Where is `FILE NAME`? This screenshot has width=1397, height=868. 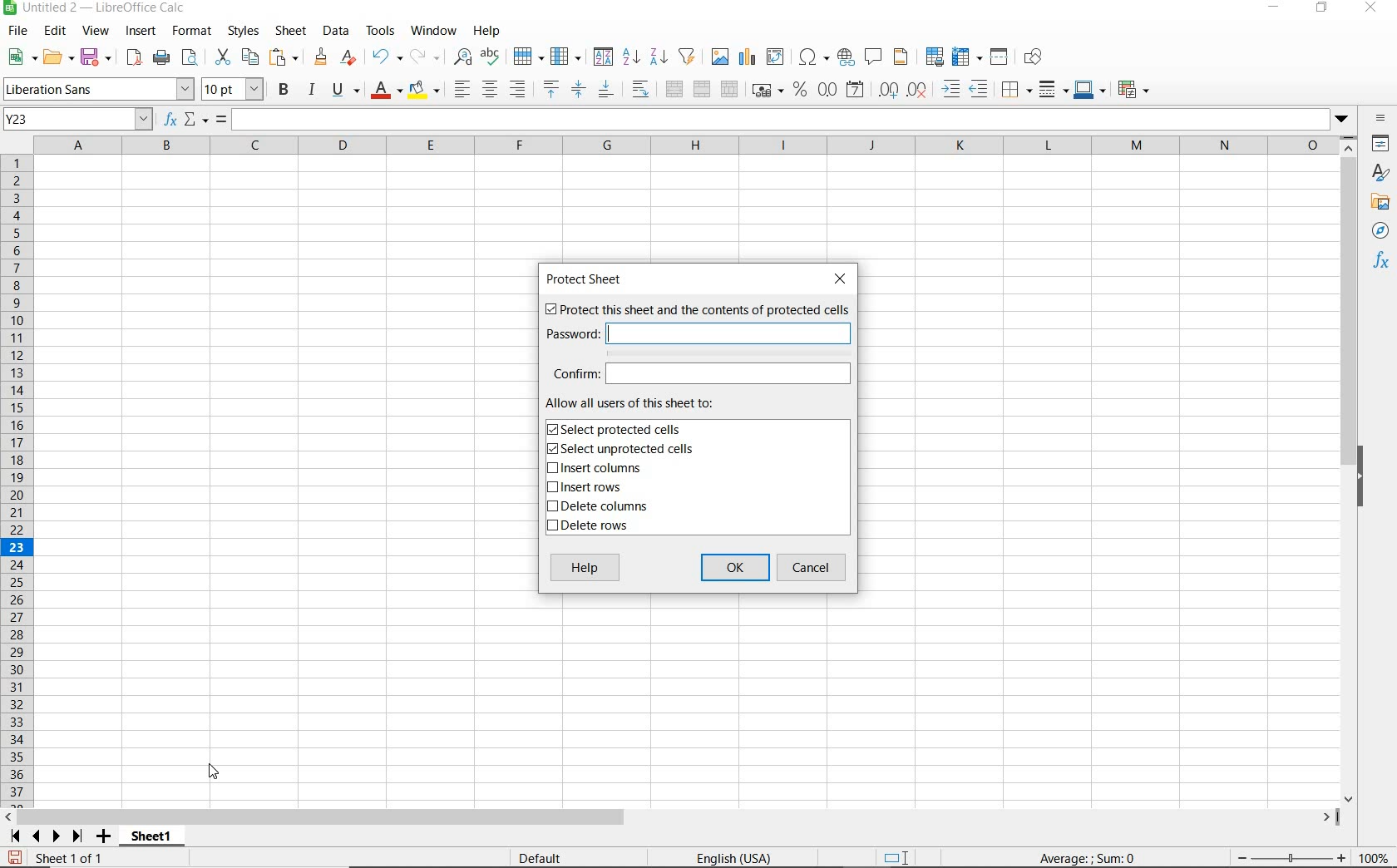
FILE NAME is located at coordinates (97, 9).